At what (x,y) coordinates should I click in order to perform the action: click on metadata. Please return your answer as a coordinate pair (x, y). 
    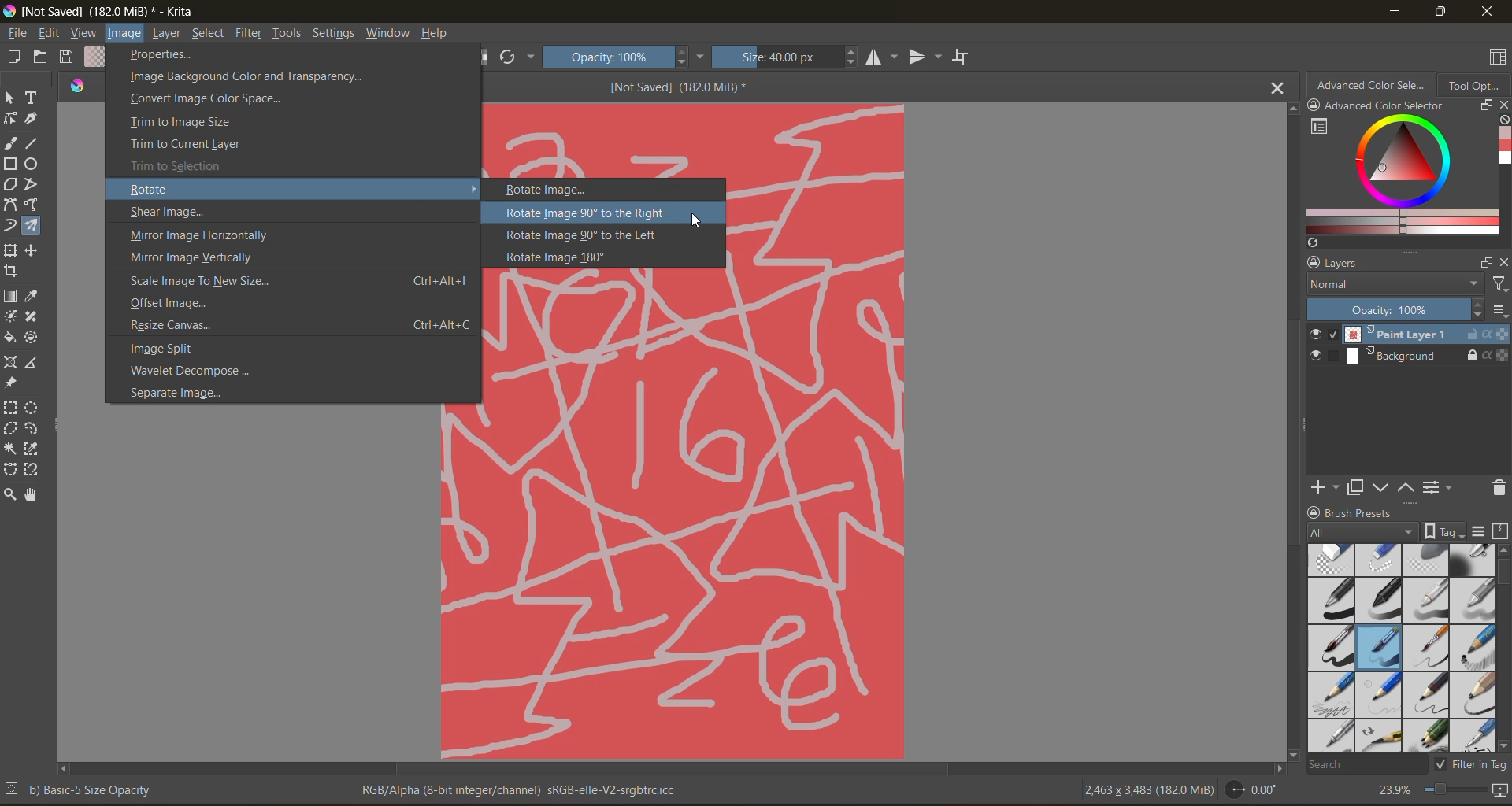
    Looking at the image, I should click on (352, 789).